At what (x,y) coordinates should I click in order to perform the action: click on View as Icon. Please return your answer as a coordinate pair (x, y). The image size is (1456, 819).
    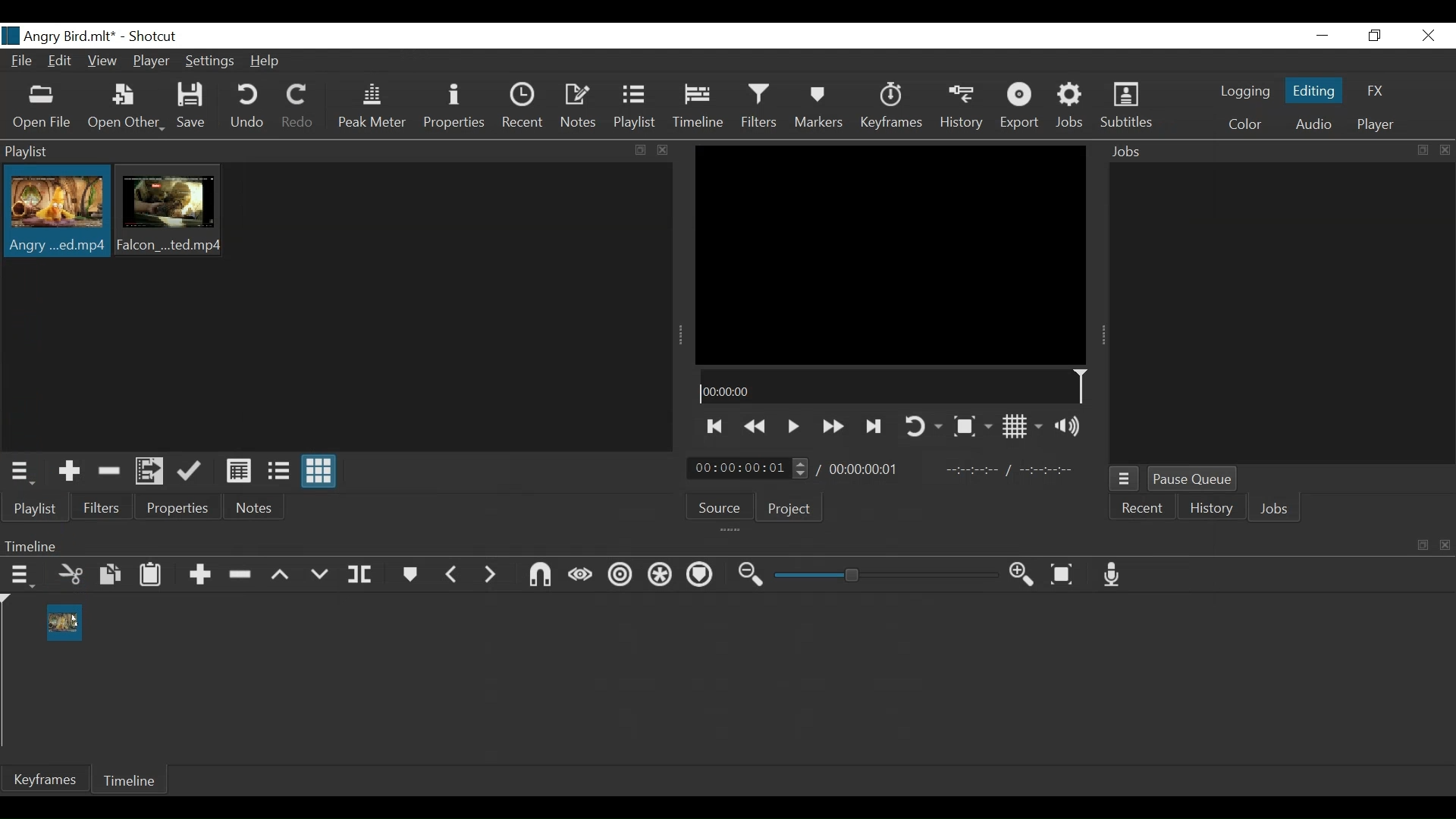
    Looking at the image, I should click on (319, 472).